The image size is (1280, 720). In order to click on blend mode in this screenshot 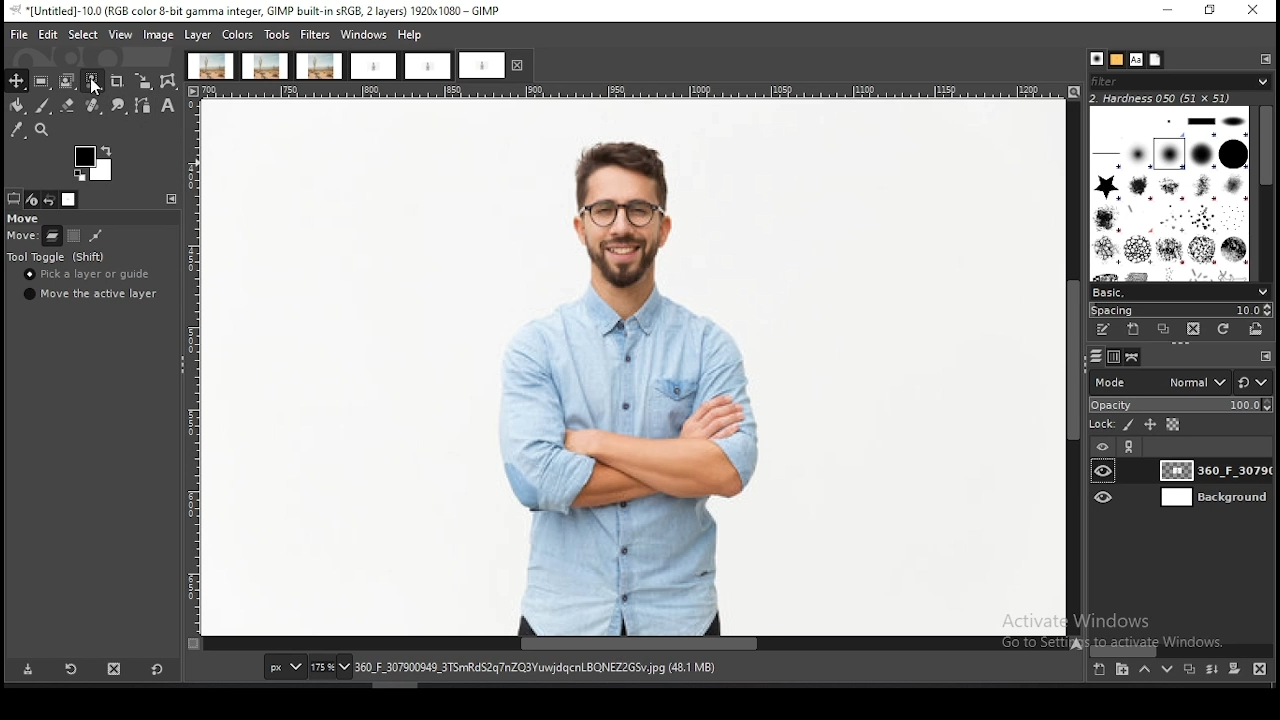, I will do `click(1159, 382)`.